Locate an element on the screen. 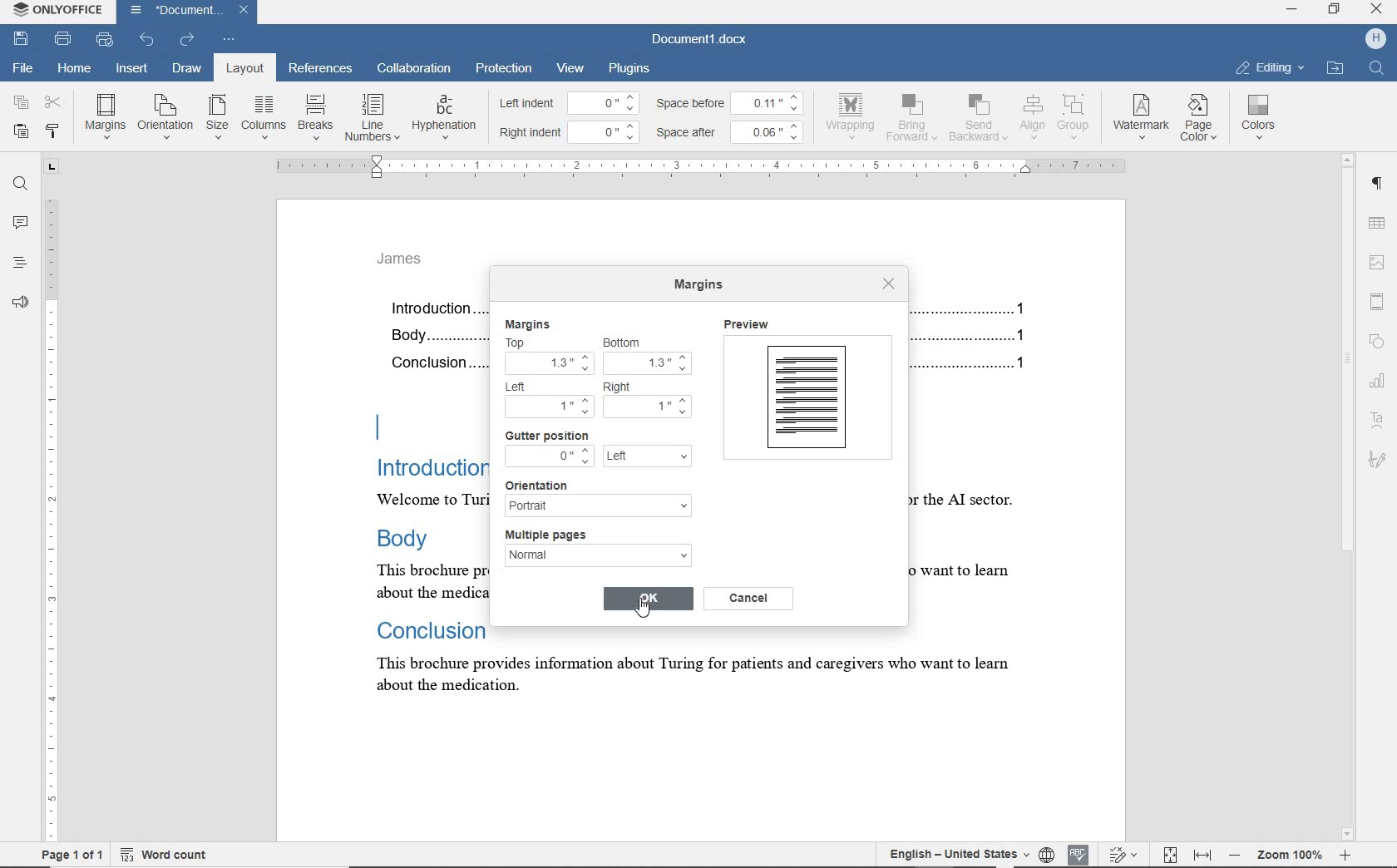 Image resolution: width=1397 pixels, height=868 pixels. columns is located at coordinates (263, 117).